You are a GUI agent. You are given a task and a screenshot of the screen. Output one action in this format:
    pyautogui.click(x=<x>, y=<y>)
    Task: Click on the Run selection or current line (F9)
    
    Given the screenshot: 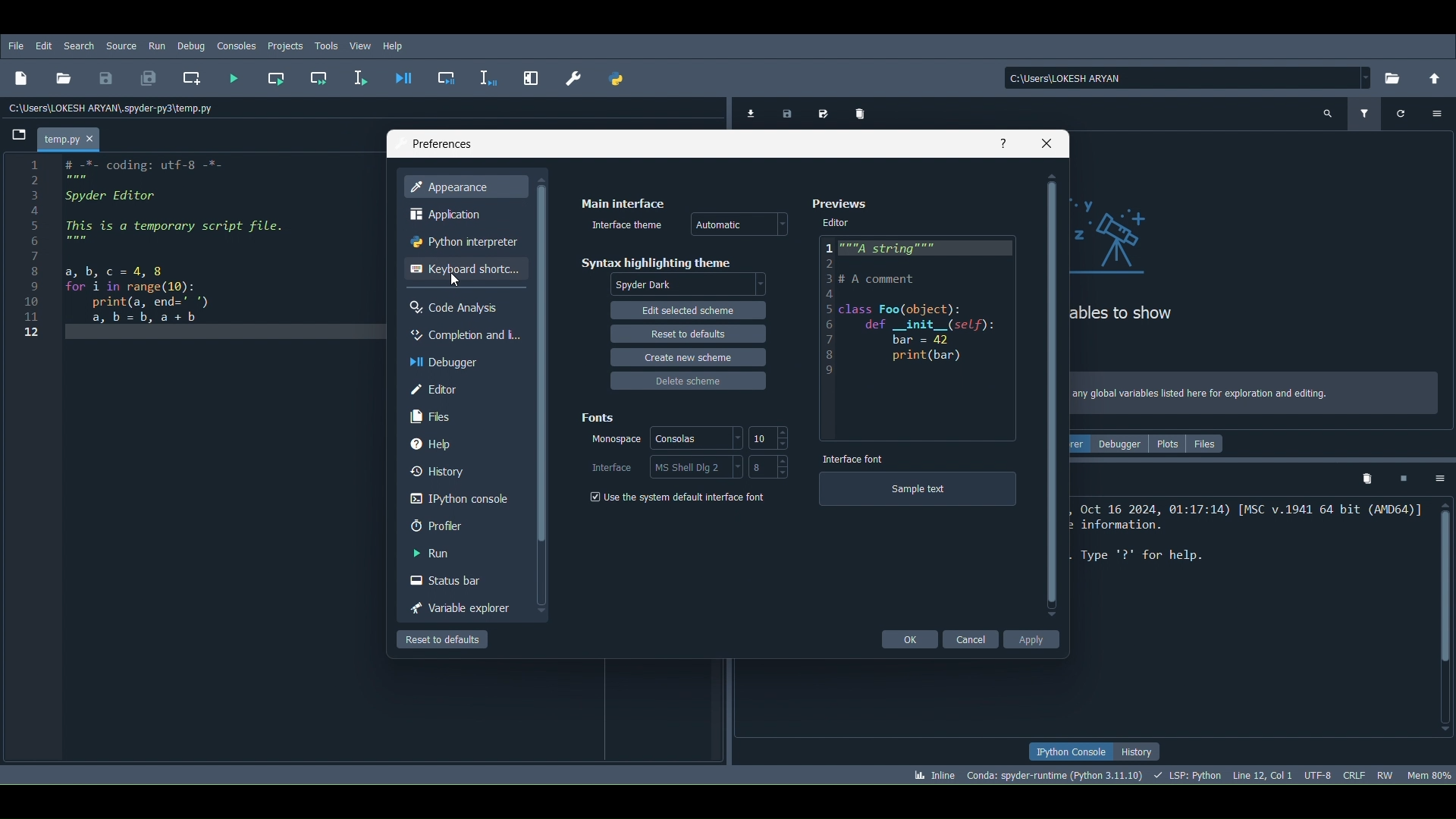 What is the action you would take?
    pyautogui.click(x=358, y=74)
    